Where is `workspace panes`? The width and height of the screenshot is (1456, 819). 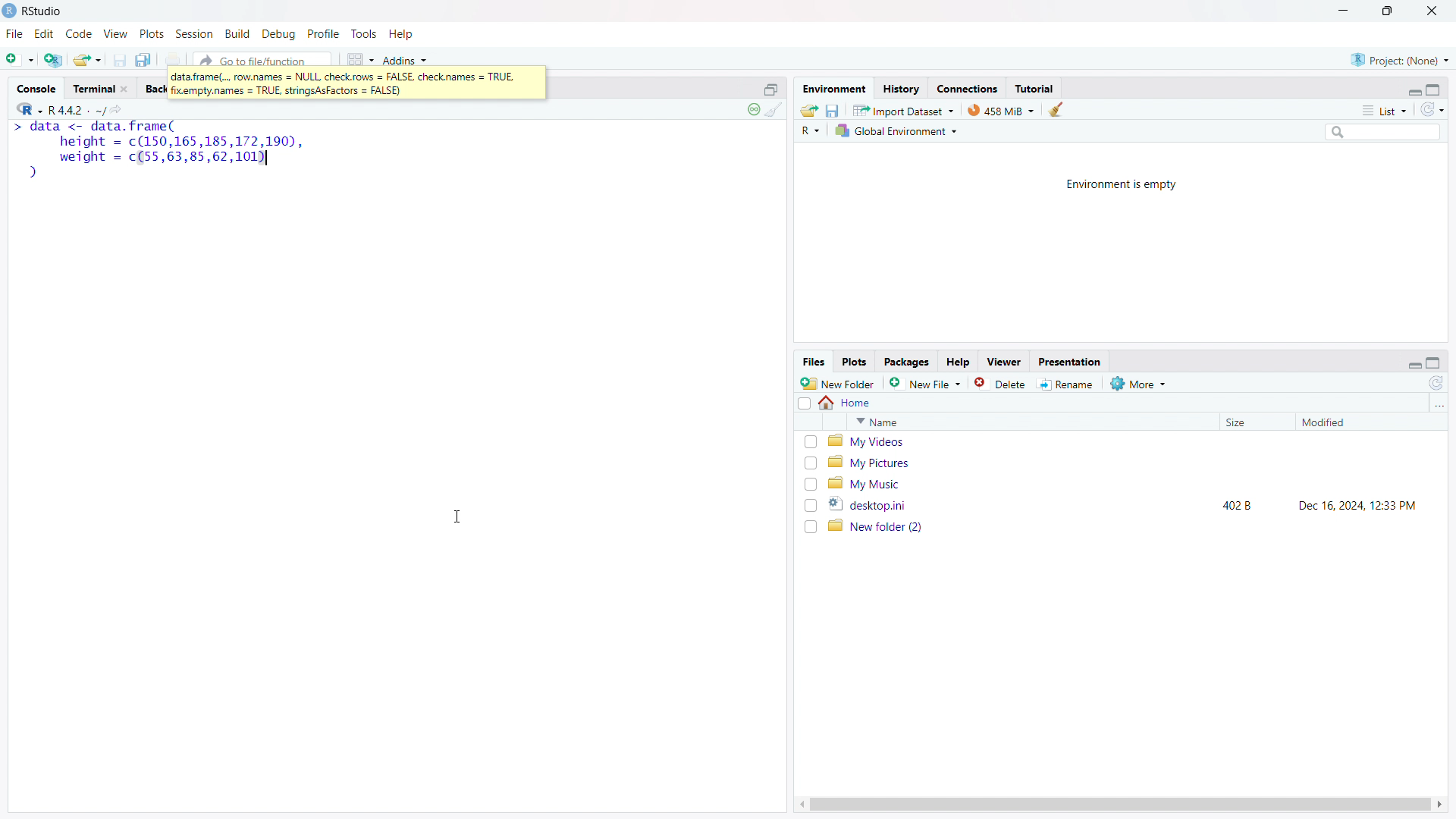
workspace panes is located at coordinates (359, 58).